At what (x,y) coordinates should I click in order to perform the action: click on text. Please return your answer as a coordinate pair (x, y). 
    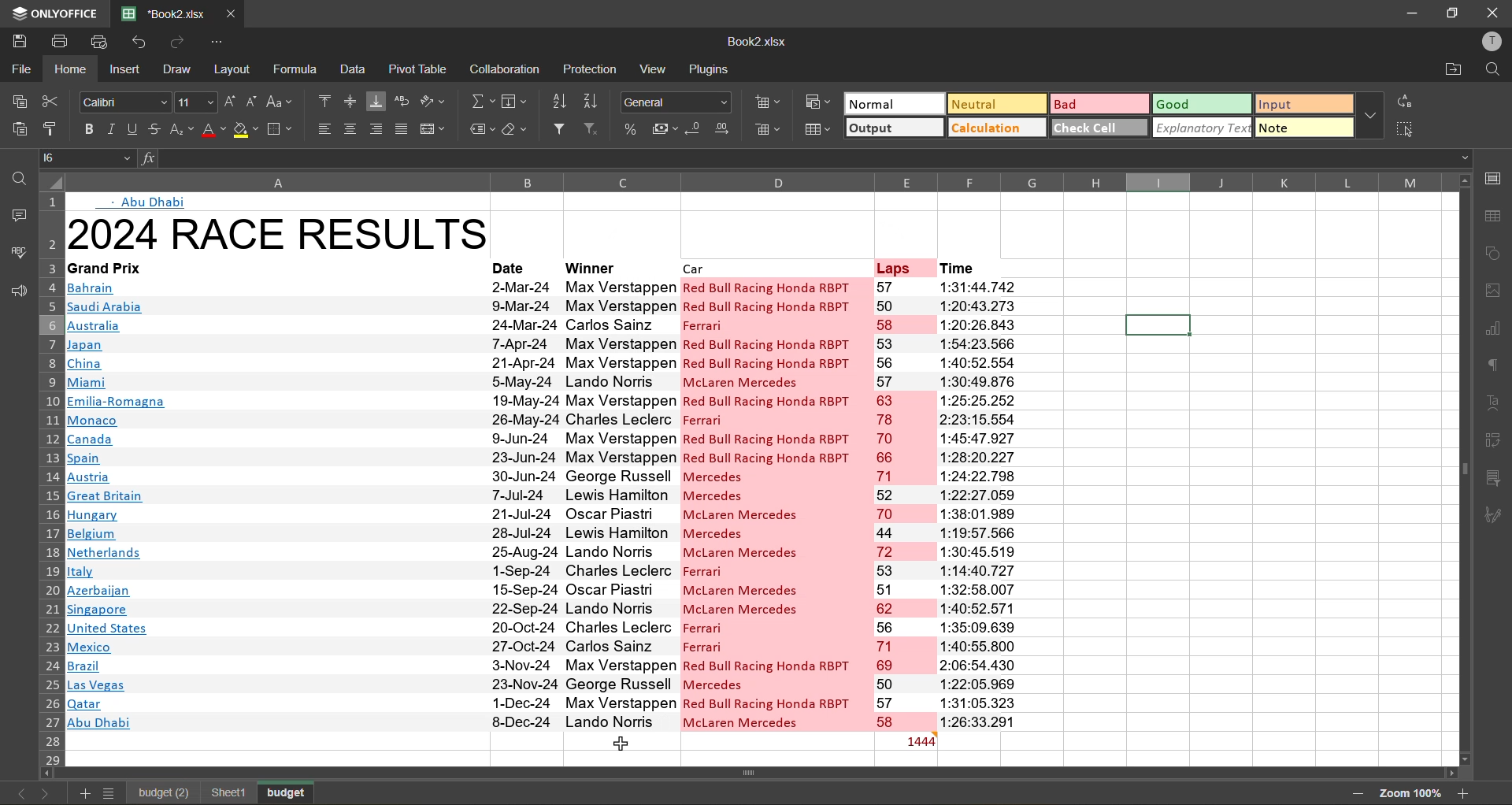
    Looking at the image, I should click on (1496, 403).